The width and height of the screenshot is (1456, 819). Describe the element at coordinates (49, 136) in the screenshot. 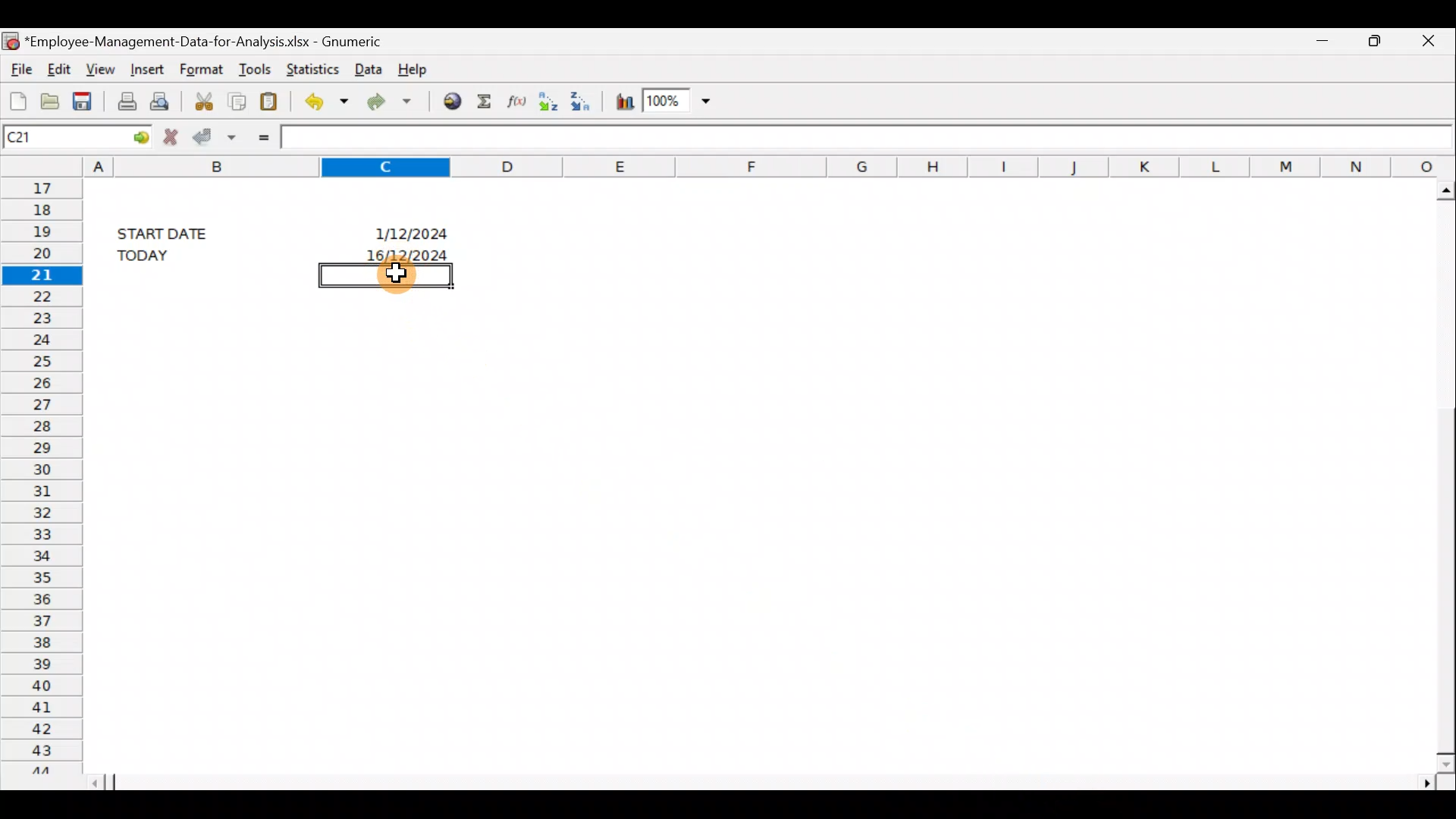

I see `Cell name C21` at that location.